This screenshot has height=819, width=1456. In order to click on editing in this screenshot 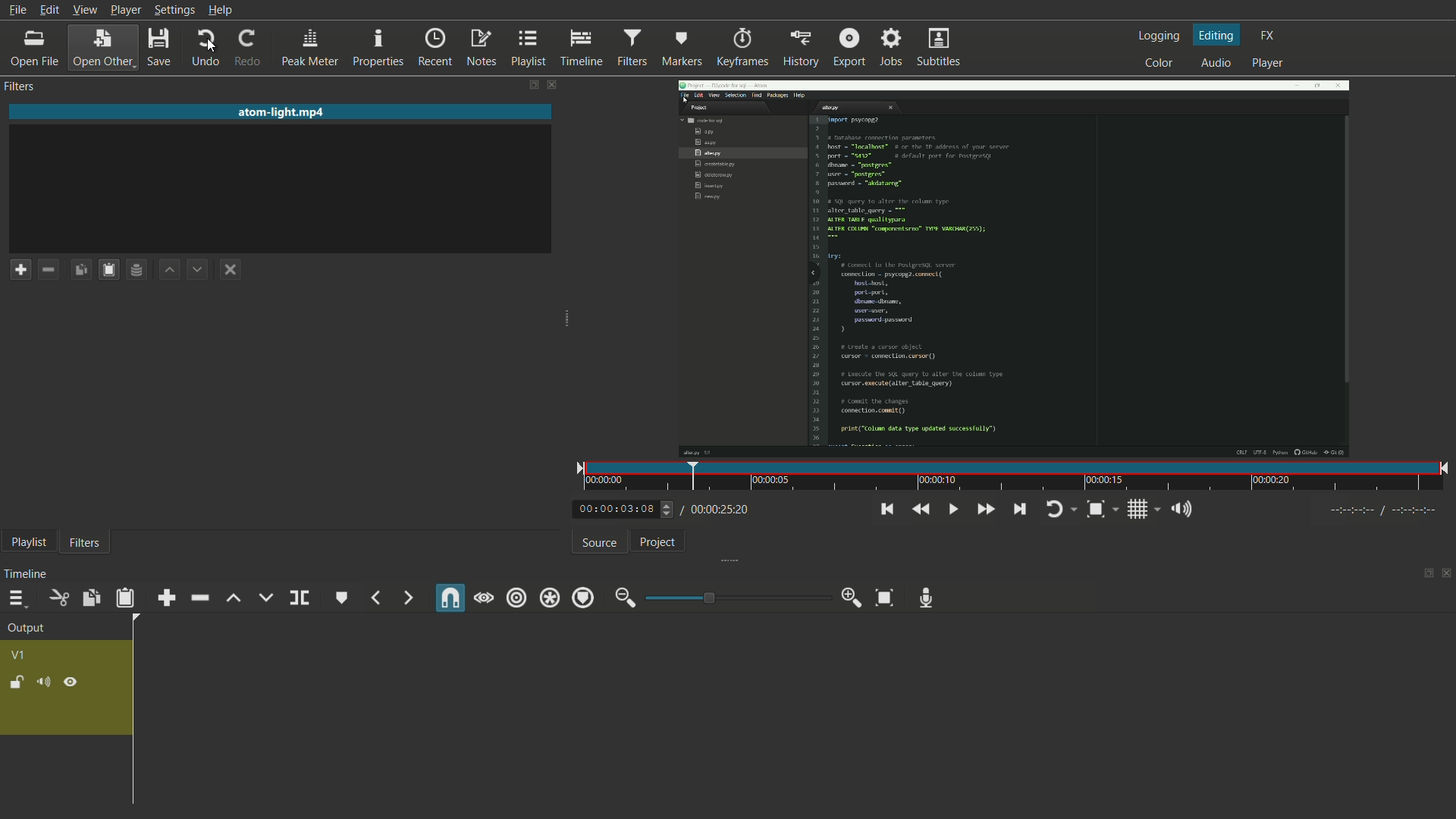, I will do `click(1214, 36)`.